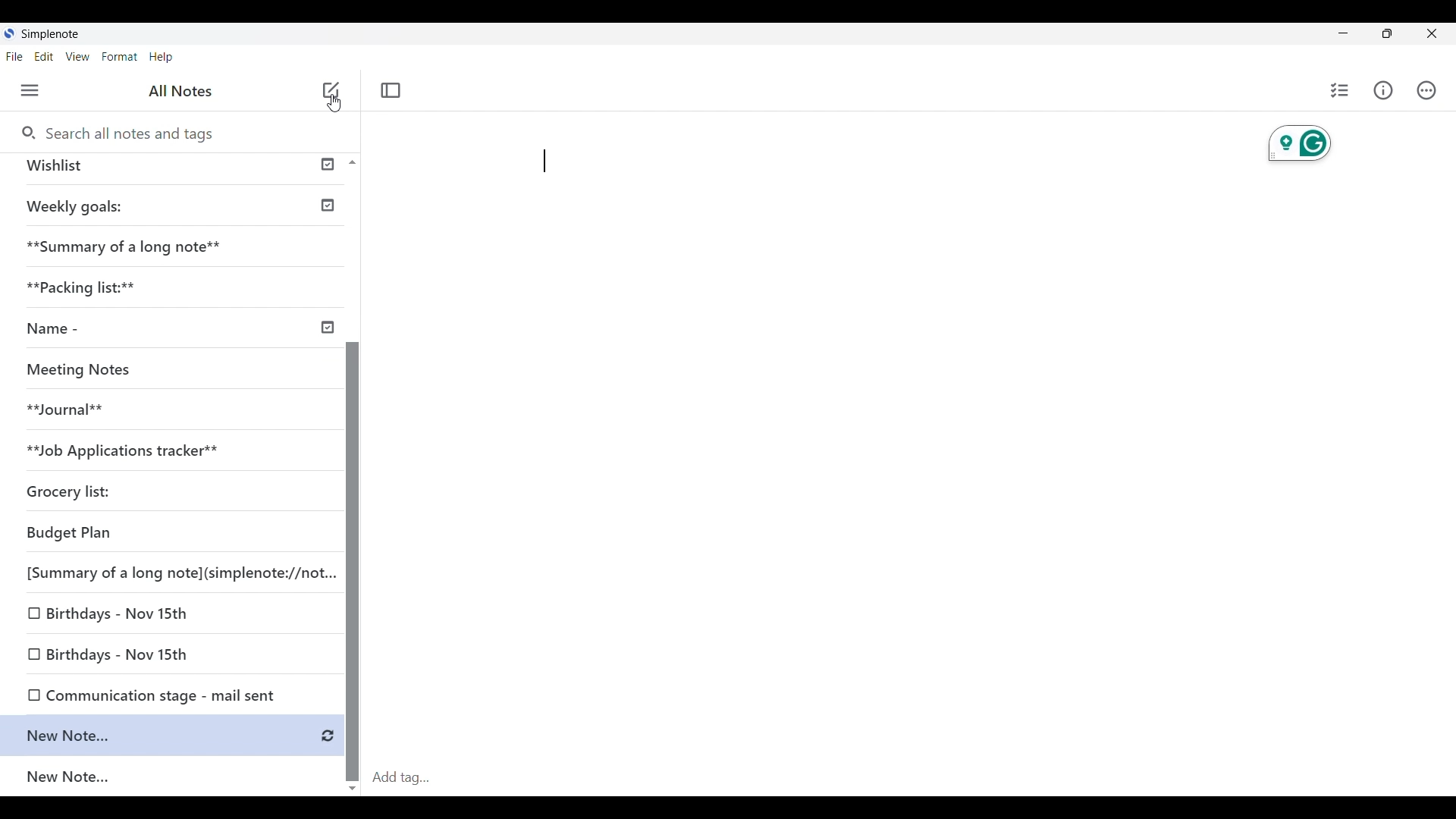 This screenshot has height=819, width=1456. Describe the element at coordinates (354, 562) in the screenshot. I see `Vertical slide bar` at that location.